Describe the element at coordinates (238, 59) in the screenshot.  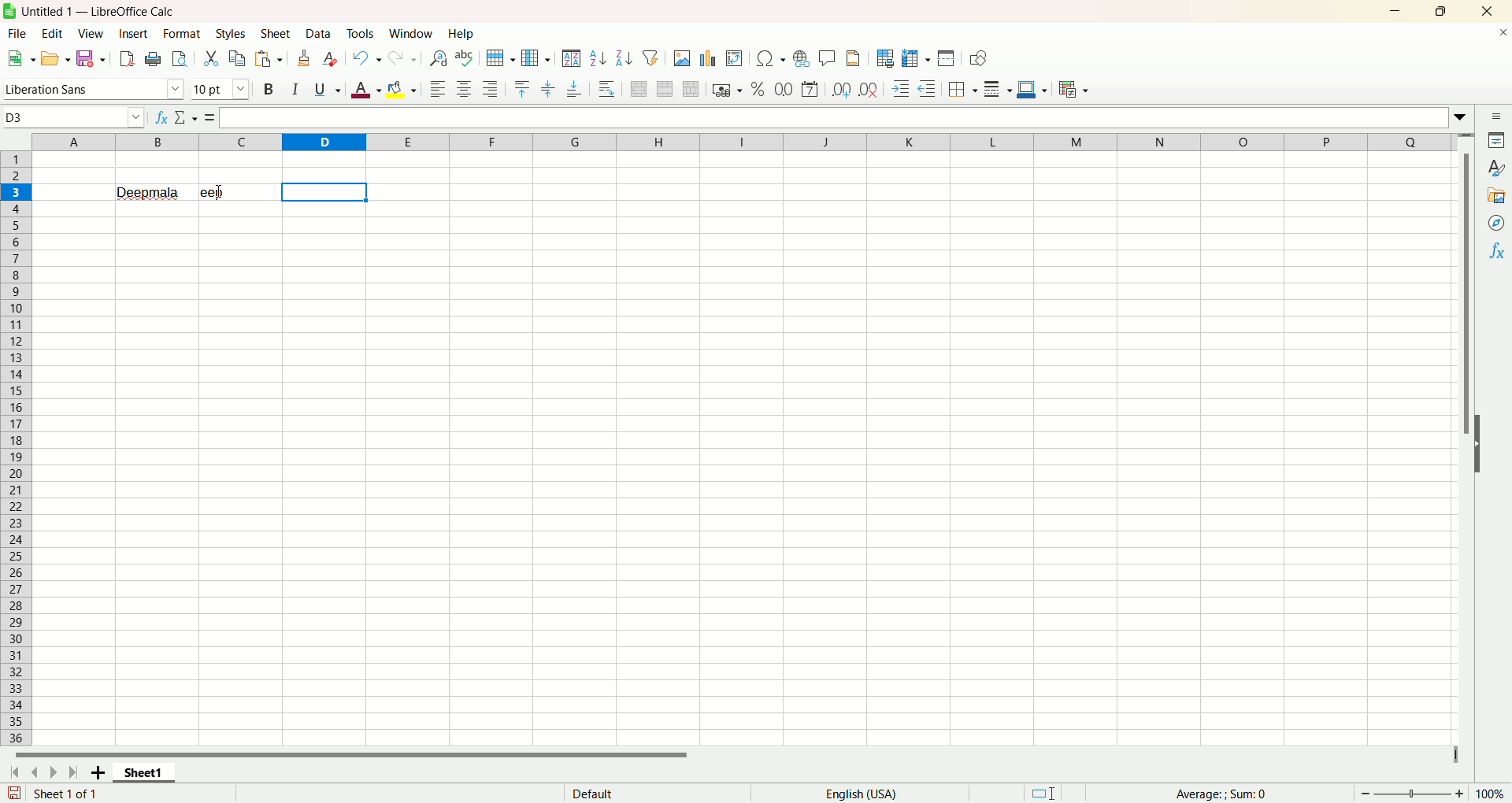
I see `Copy` at that location.